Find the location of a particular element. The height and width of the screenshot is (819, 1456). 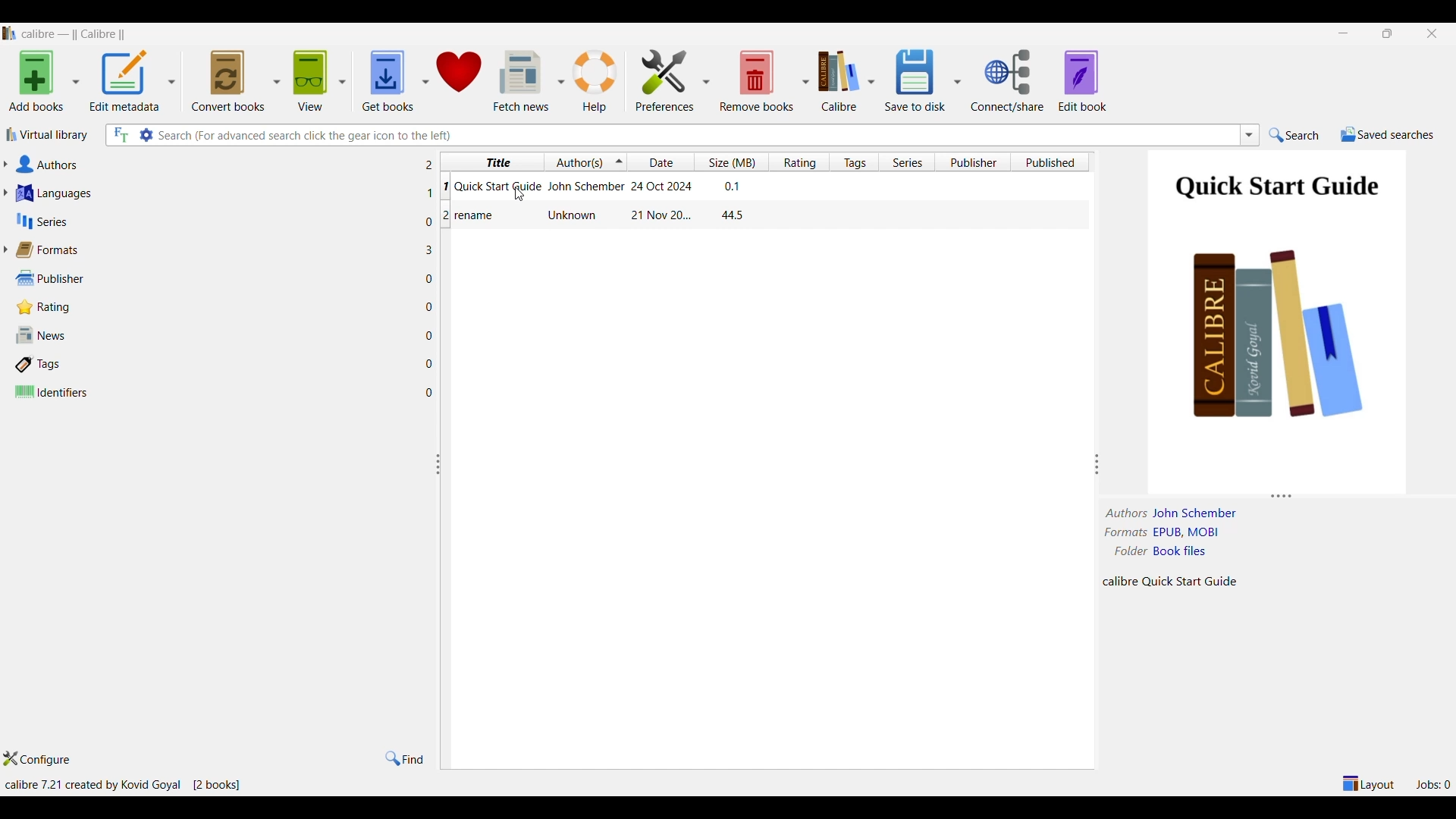

Publisher column is located at coordinates (977, 162).